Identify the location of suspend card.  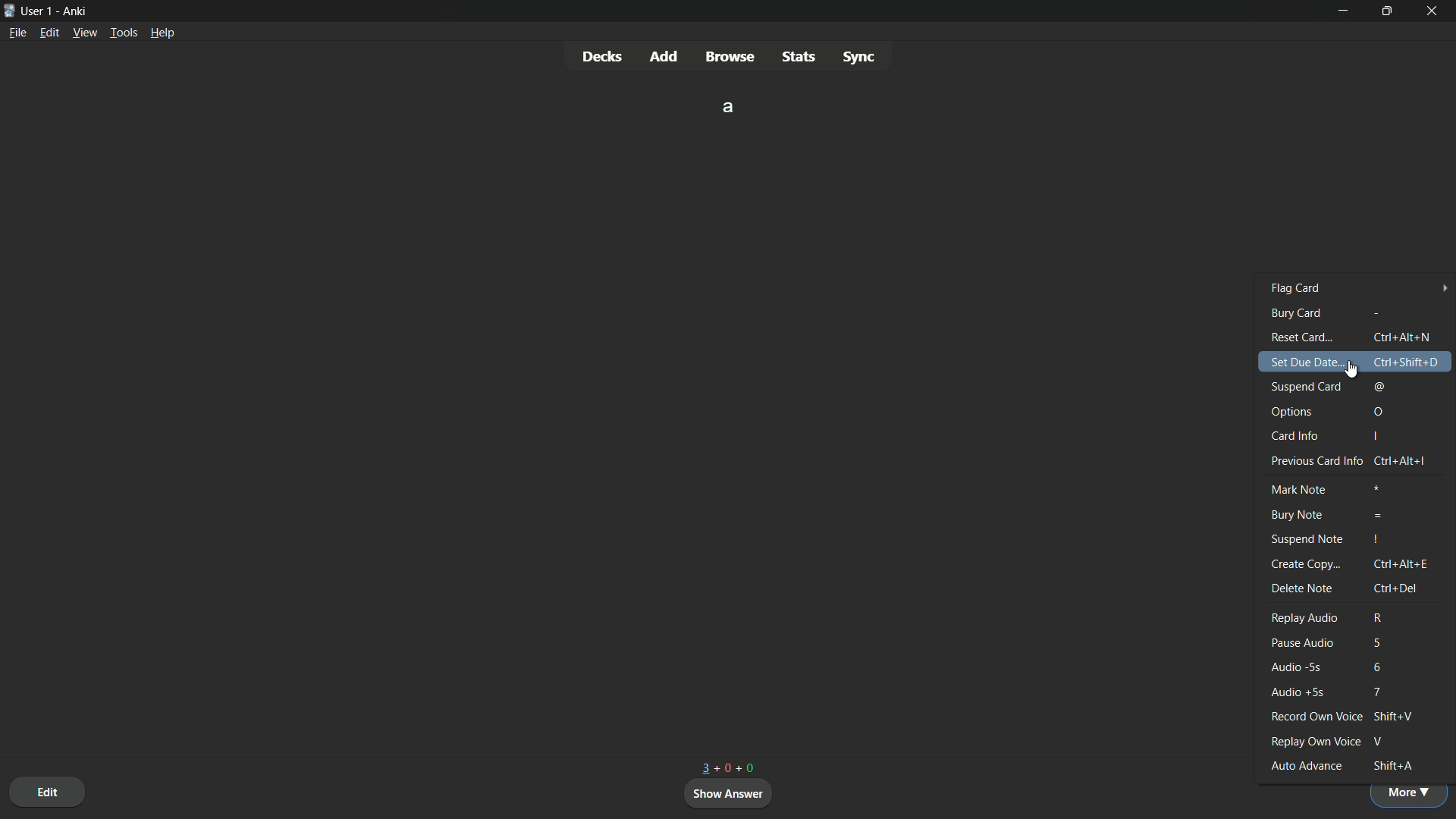
(1302, 387).